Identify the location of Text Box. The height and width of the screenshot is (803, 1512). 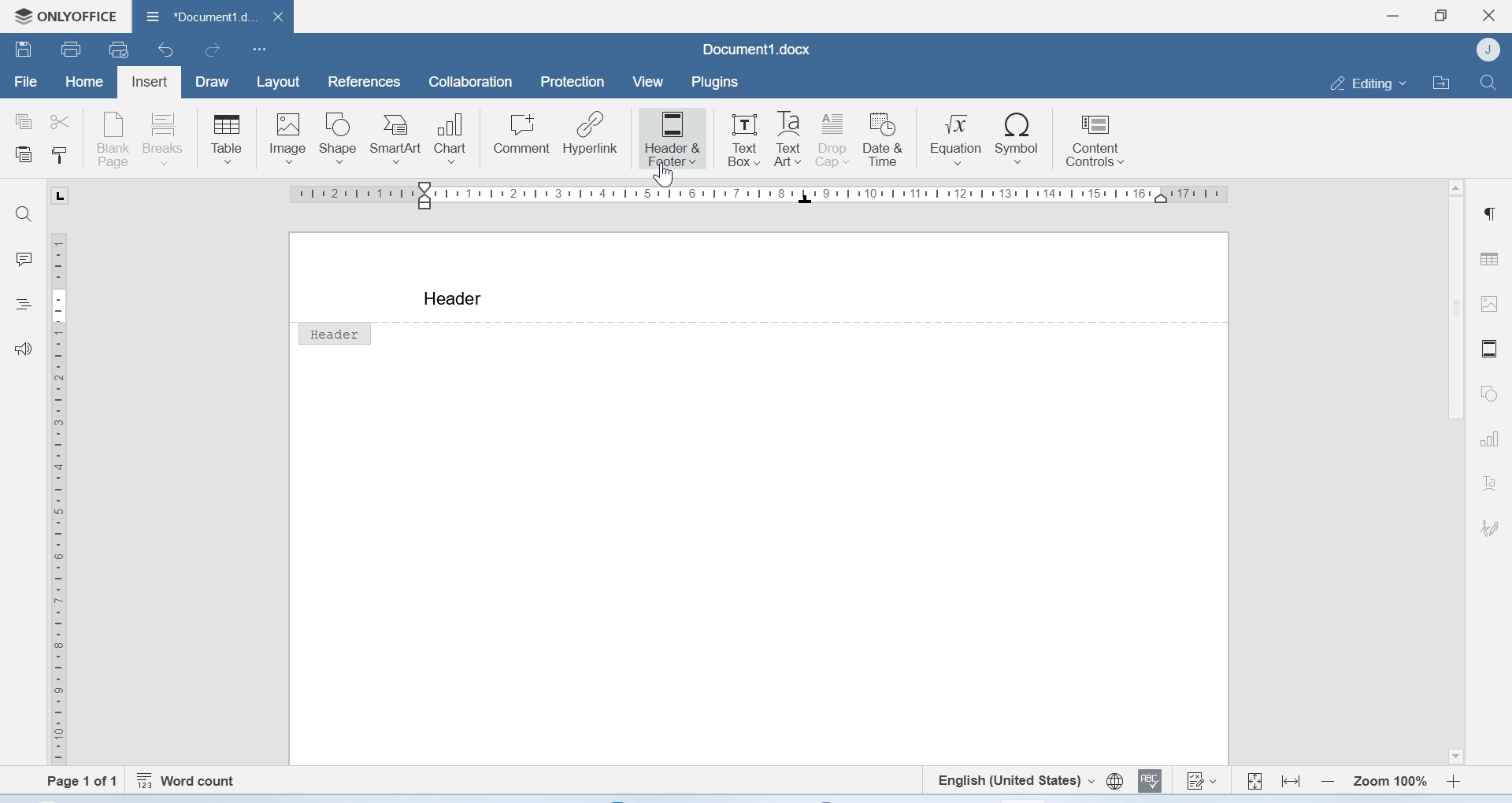
(739, 135).